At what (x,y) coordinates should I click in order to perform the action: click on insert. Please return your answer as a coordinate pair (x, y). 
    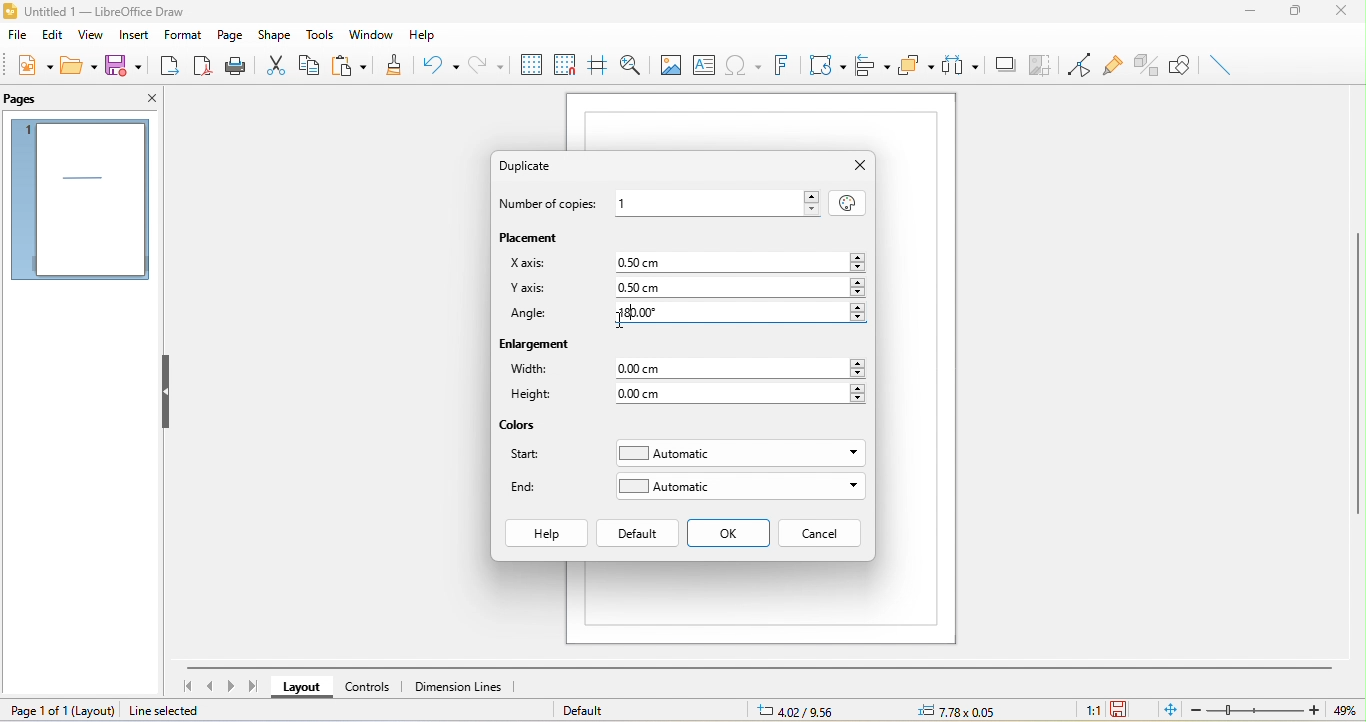
    Looking at the image, I should click on (130, 37).